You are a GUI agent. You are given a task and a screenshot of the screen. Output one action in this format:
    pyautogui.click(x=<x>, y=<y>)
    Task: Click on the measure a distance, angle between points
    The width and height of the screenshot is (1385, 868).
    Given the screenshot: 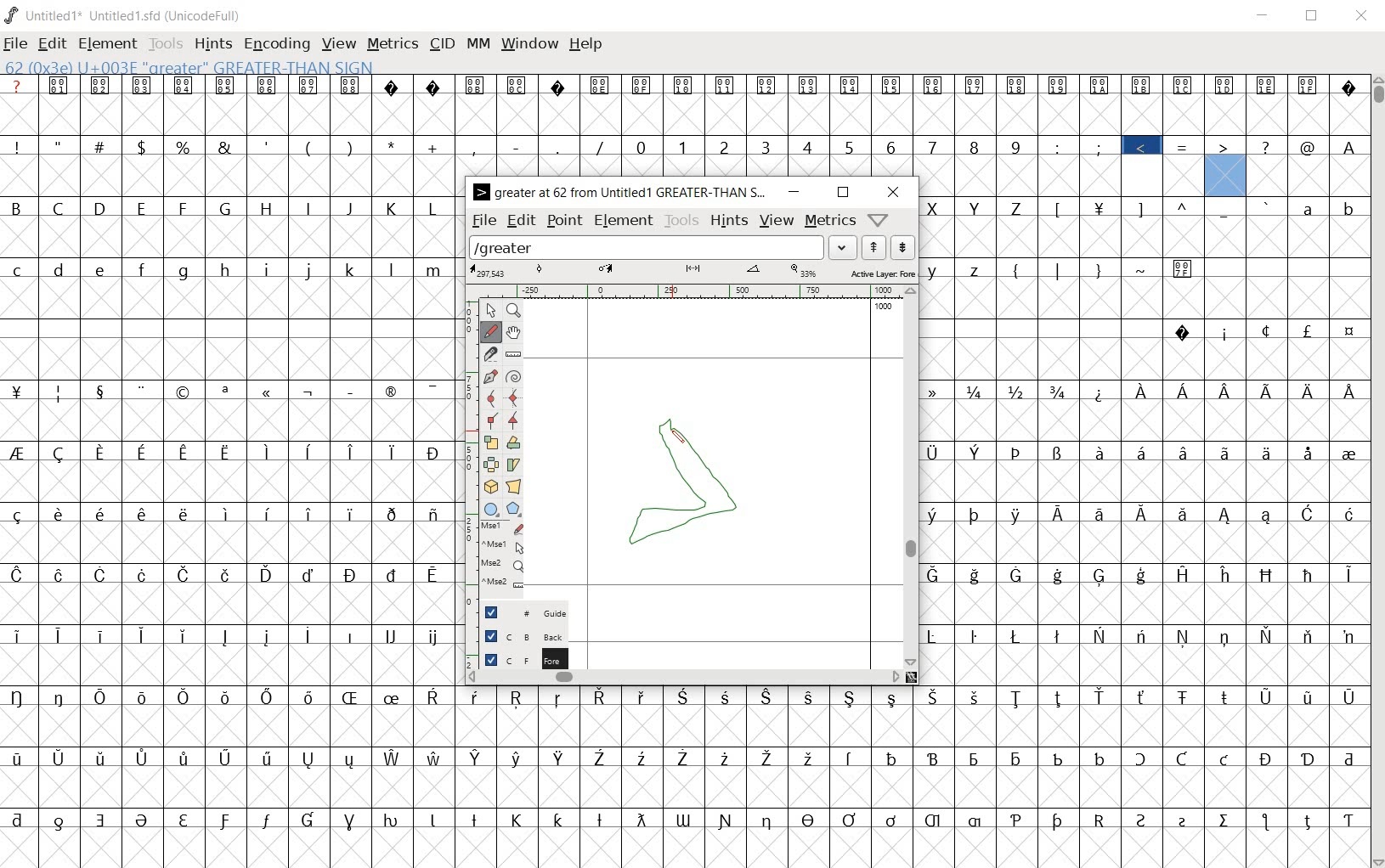 What is the action you would take?
    pyautogui.click(x=513, y=352)
    